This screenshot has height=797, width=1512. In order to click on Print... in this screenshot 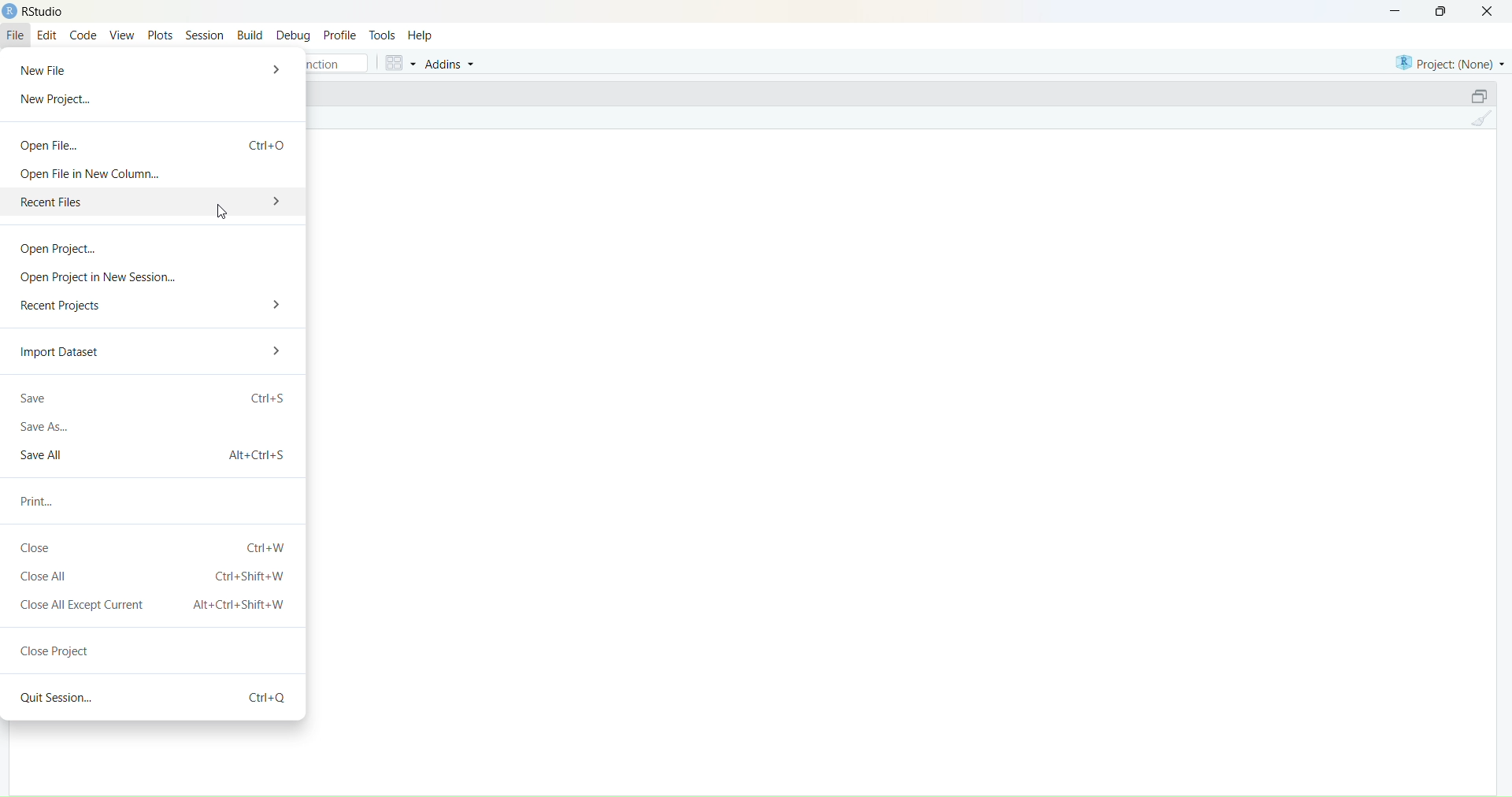, I will do `click(41, 502)`.